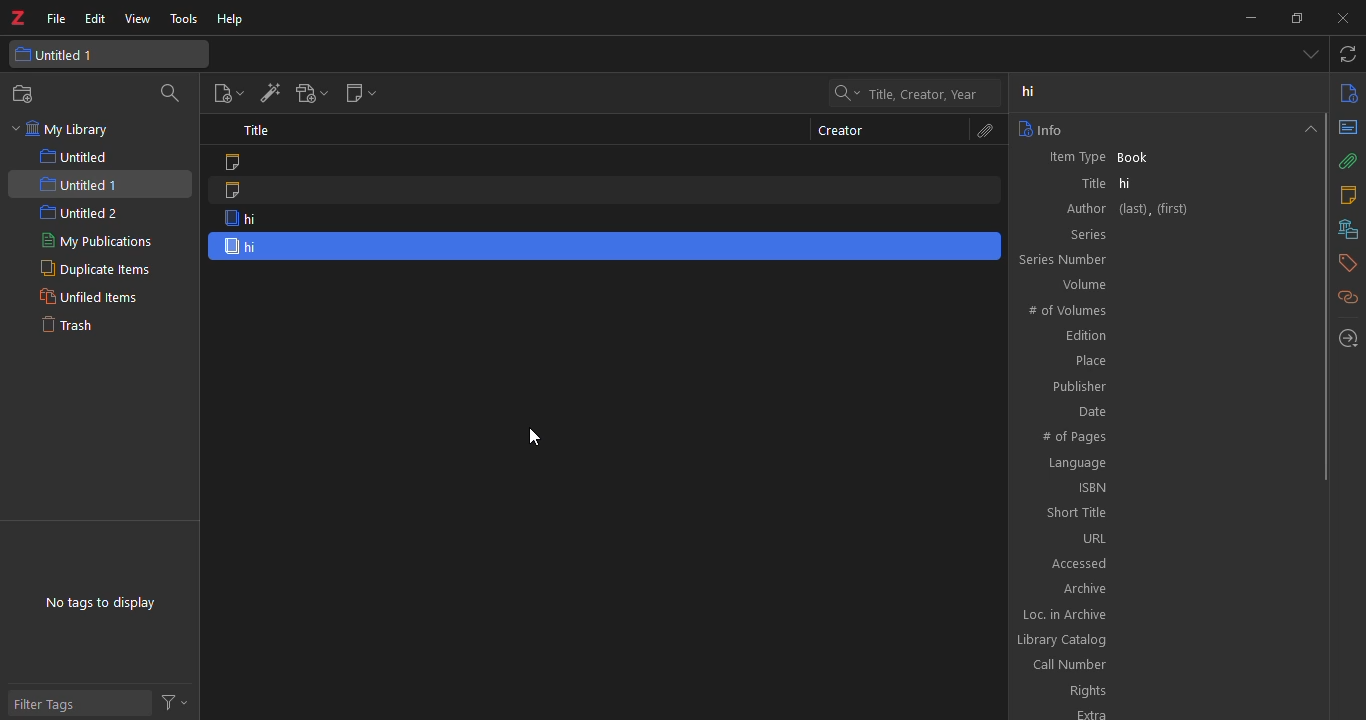 The width and height of the screenshot is (1366, 720). I want to click on add item, so click(271, 93).